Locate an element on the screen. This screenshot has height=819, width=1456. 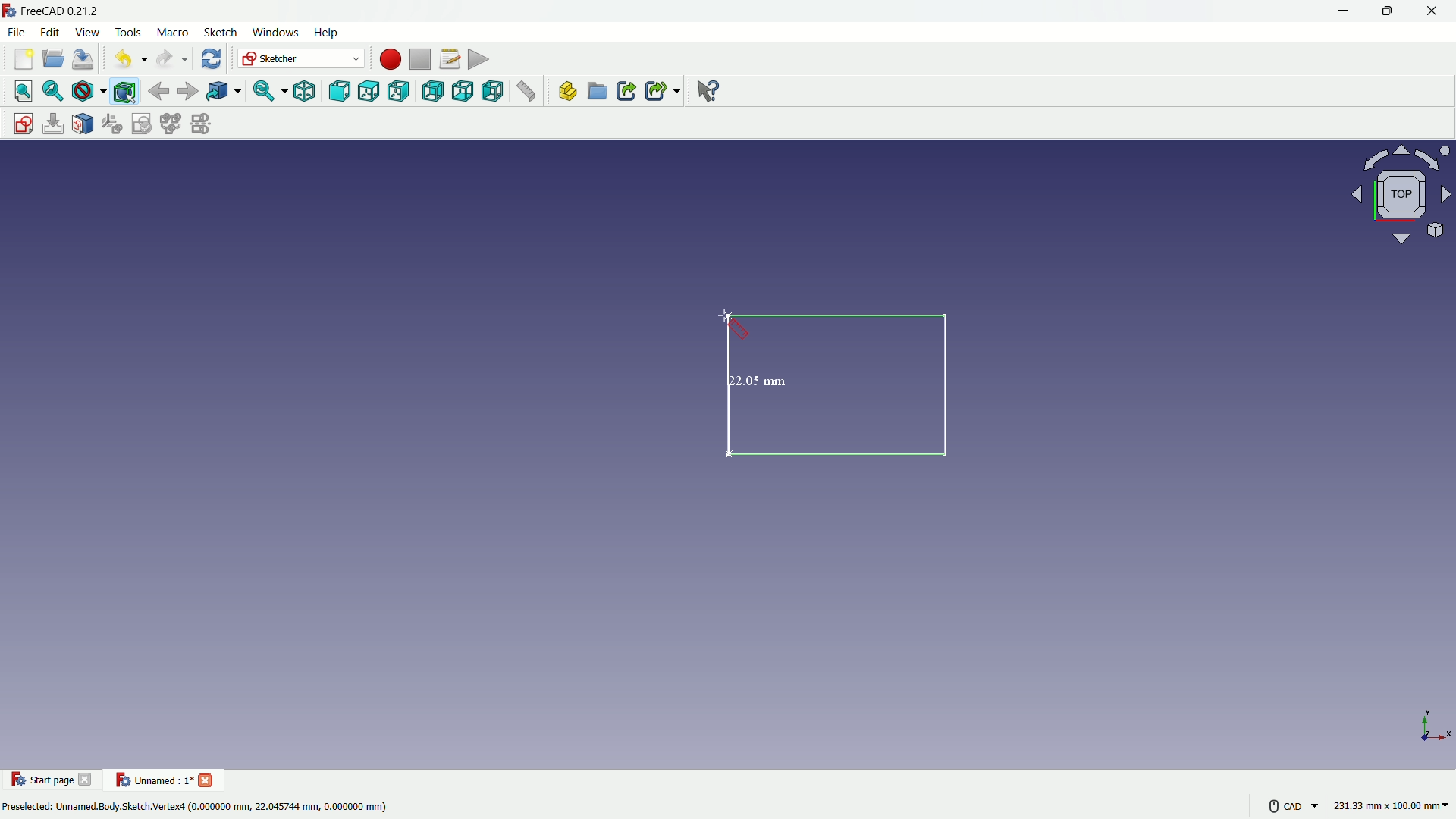
file menu is located at coordinates (18, 33).